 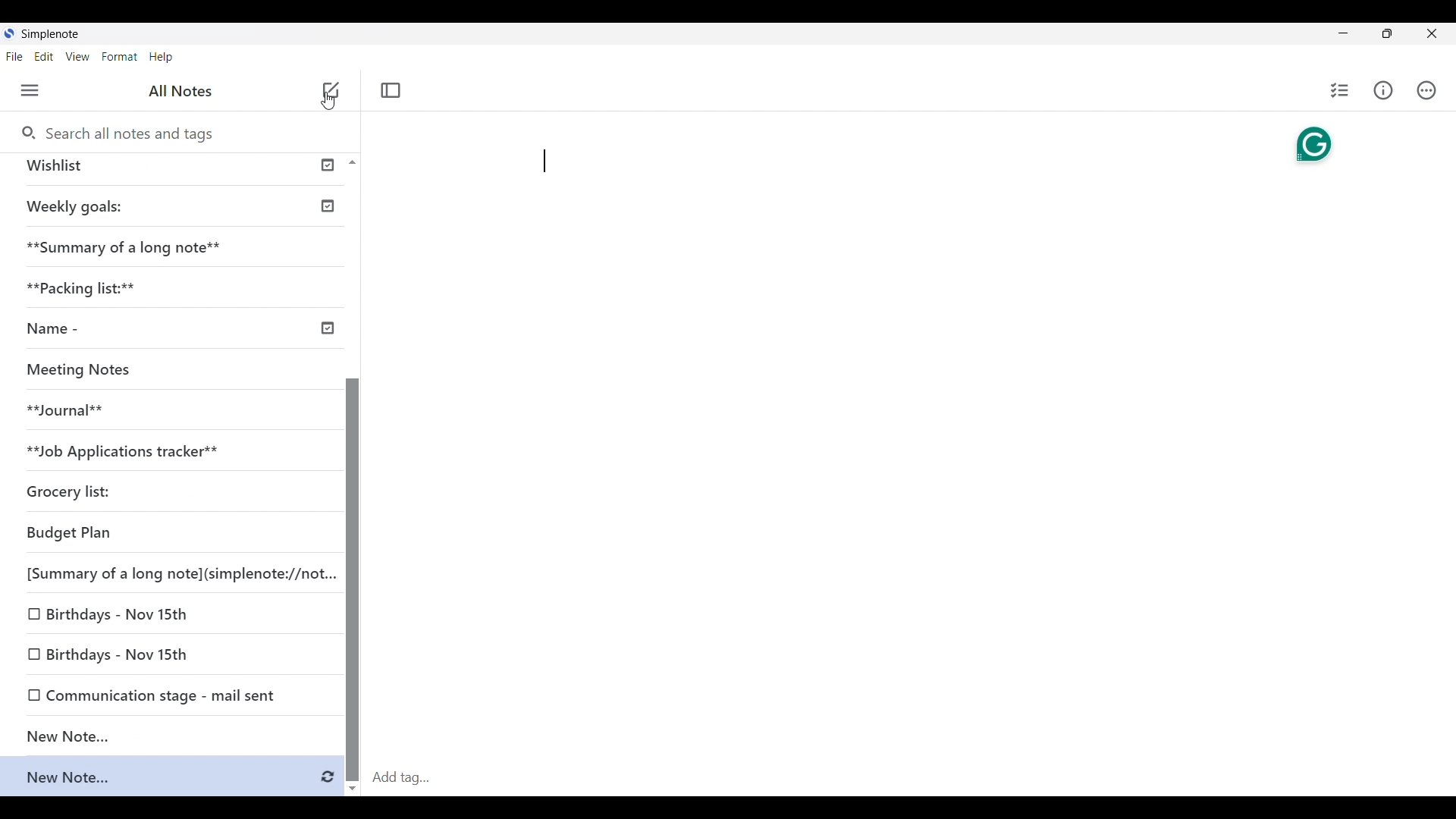 What do you see at coordinates (353, 571) in the screenshot?
I see `Vertical slide bar` at bounding box center [353, 571].